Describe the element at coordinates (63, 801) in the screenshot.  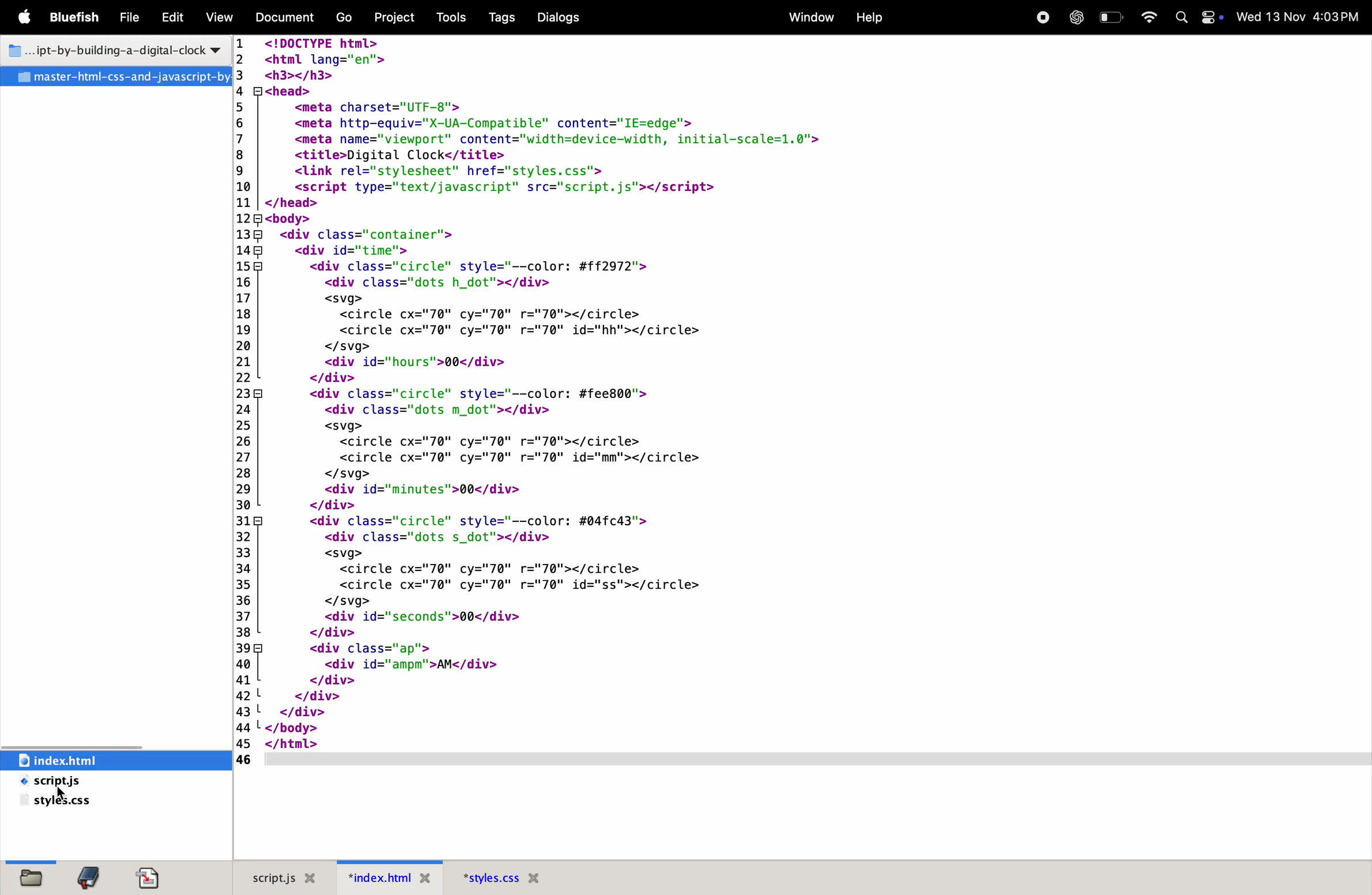
I see `Style.css` at that location.